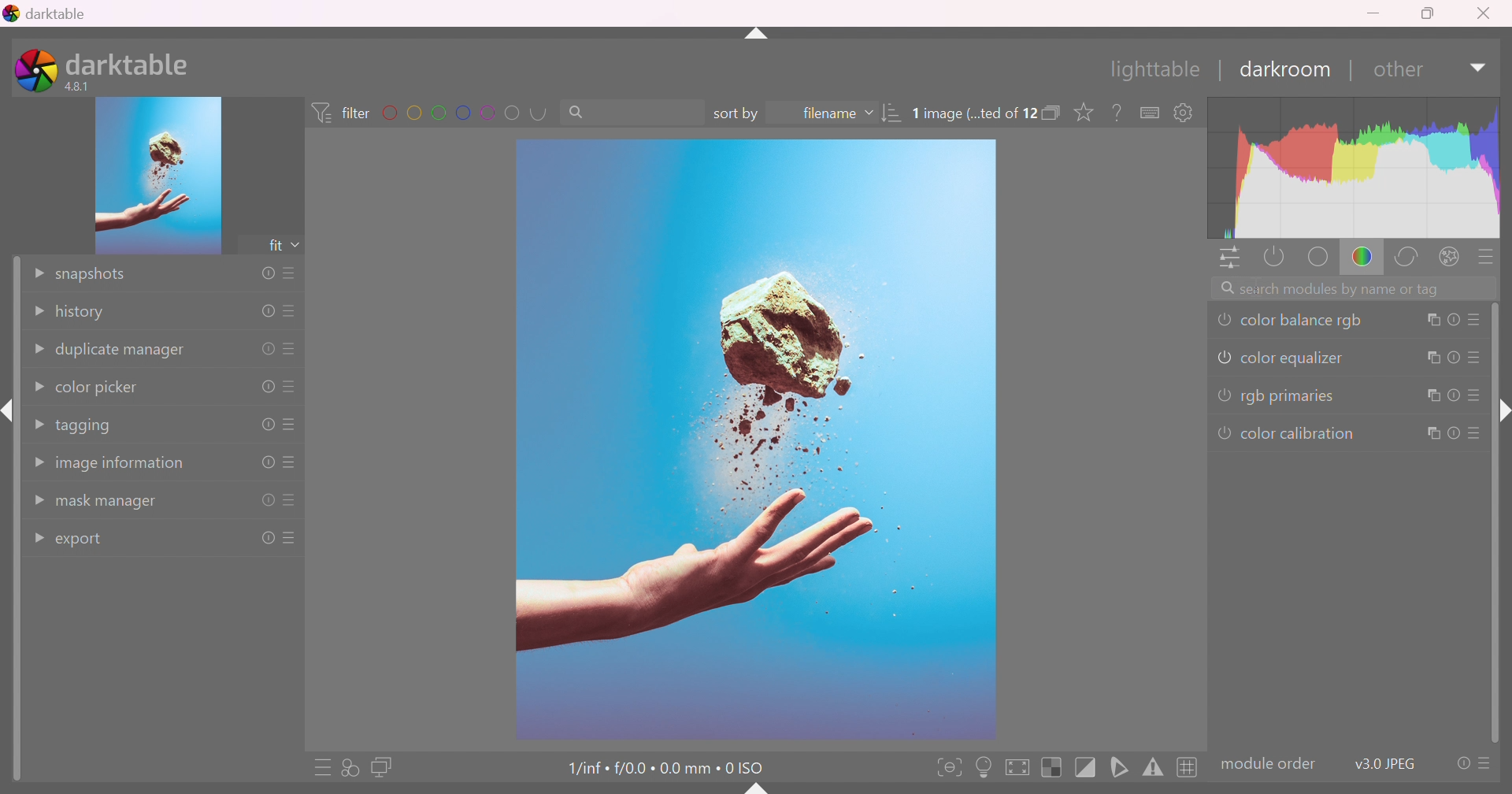  I want to click on presets, so click(1477, 361).